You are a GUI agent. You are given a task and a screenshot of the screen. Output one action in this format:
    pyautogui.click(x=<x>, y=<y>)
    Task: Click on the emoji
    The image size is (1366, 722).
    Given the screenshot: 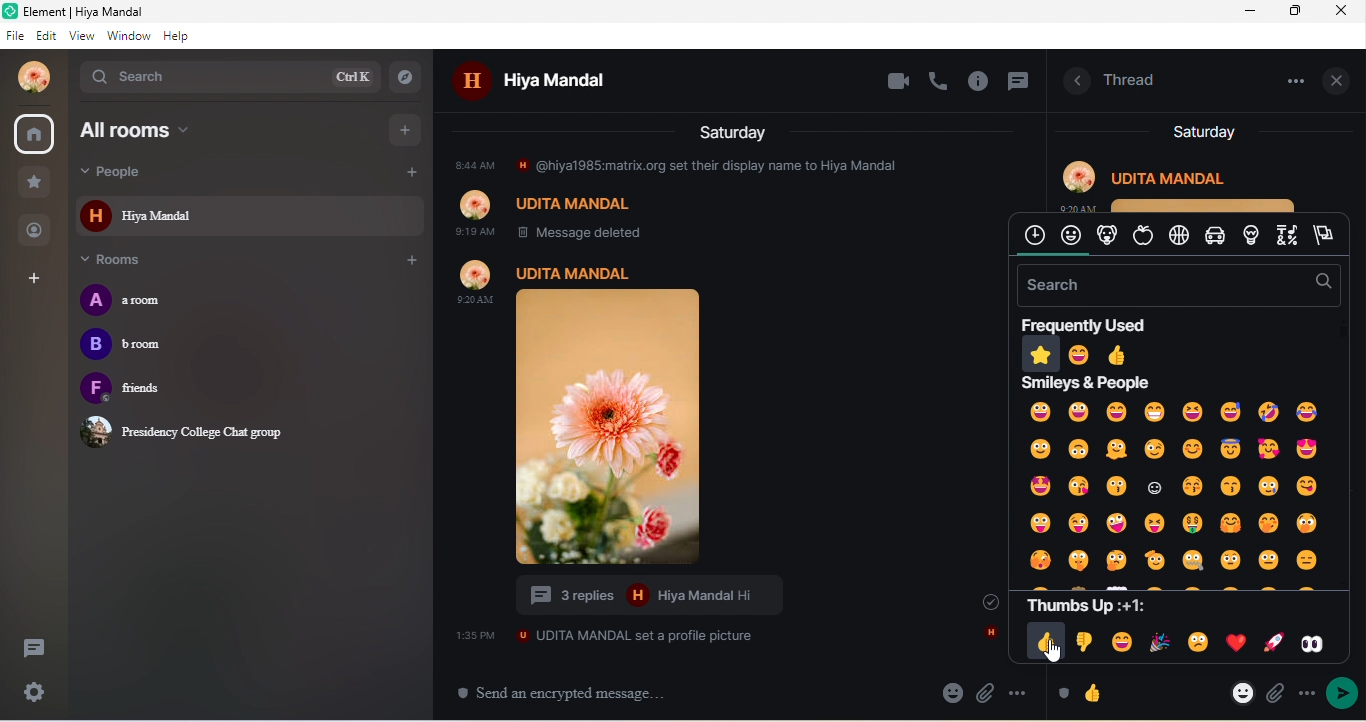 What is the action you would take?
    pyautogui.click(x=1242, y=692)
    